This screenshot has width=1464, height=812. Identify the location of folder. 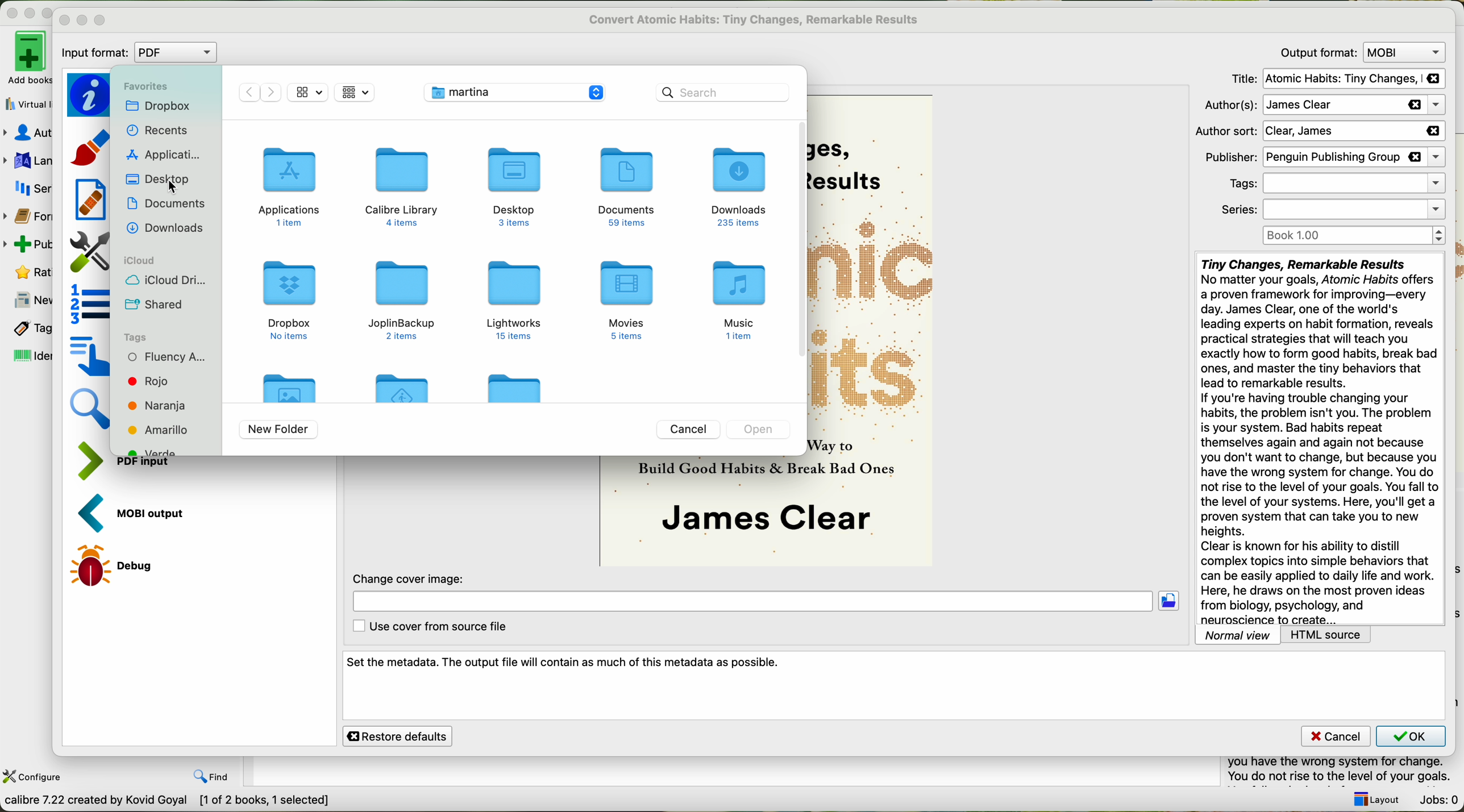
(512, 385).